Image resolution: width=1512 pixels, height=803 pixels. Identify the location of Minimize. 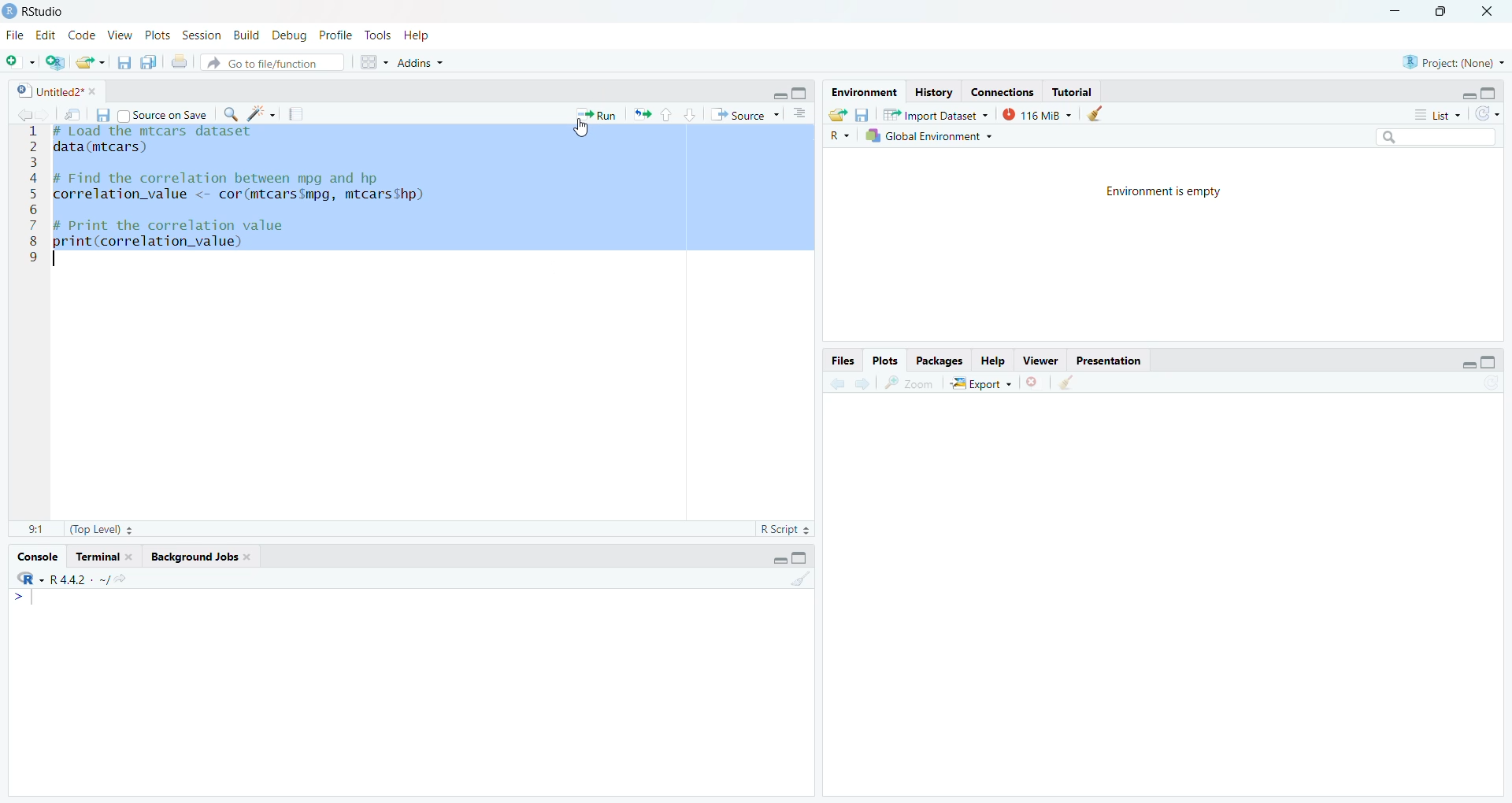
(1465, 364).